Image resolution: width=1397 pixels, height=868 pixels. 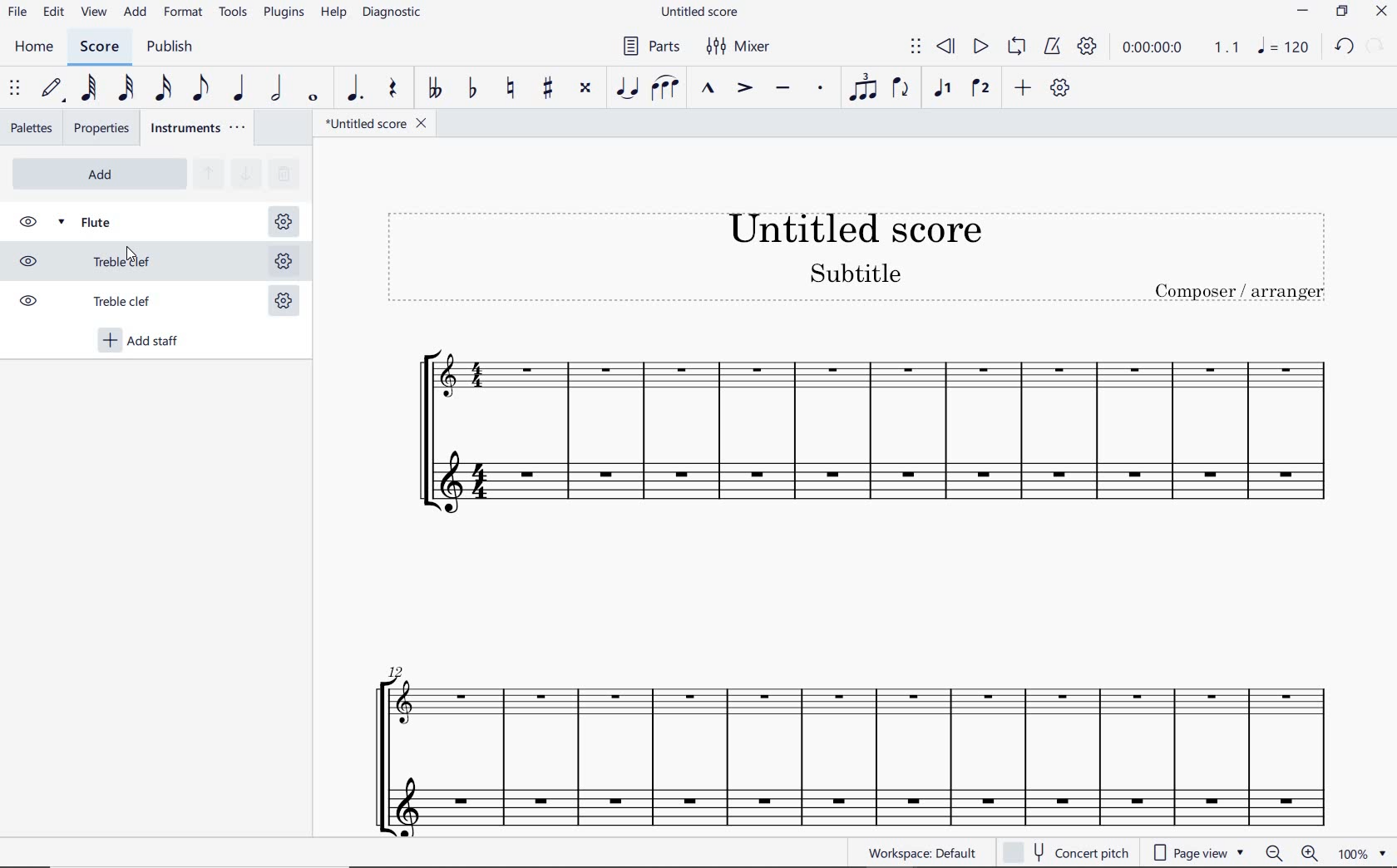 What do you see at coordinates (876, 486) in the screenshot?
I see `flute instrument` at bounding box center [876, 486].